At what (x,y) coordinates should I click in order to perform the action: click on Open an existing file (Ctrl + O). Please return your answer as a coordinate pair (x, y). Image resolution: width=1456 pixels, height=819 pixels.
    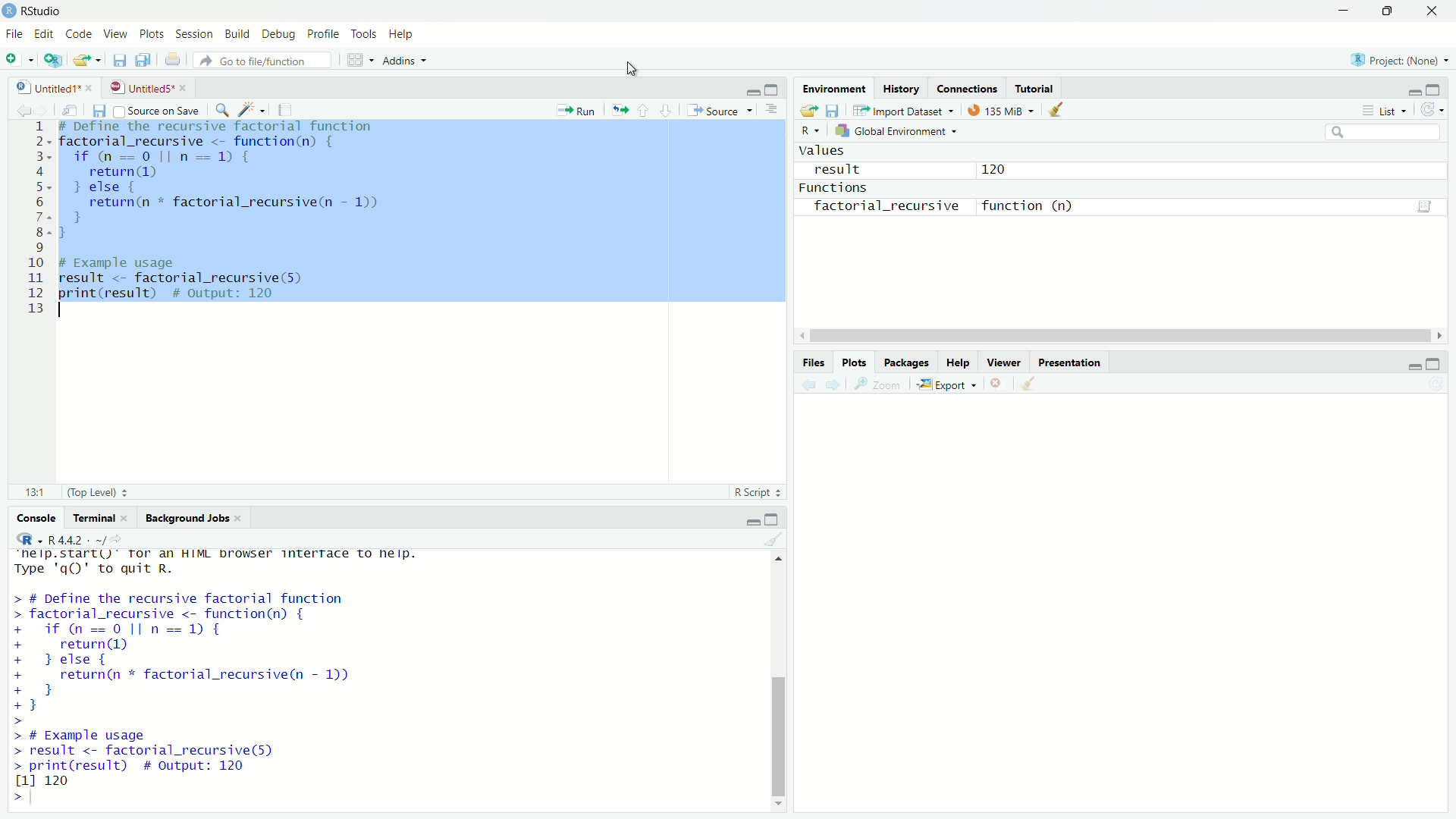
    Looking at the image, I should click on (87, 62).